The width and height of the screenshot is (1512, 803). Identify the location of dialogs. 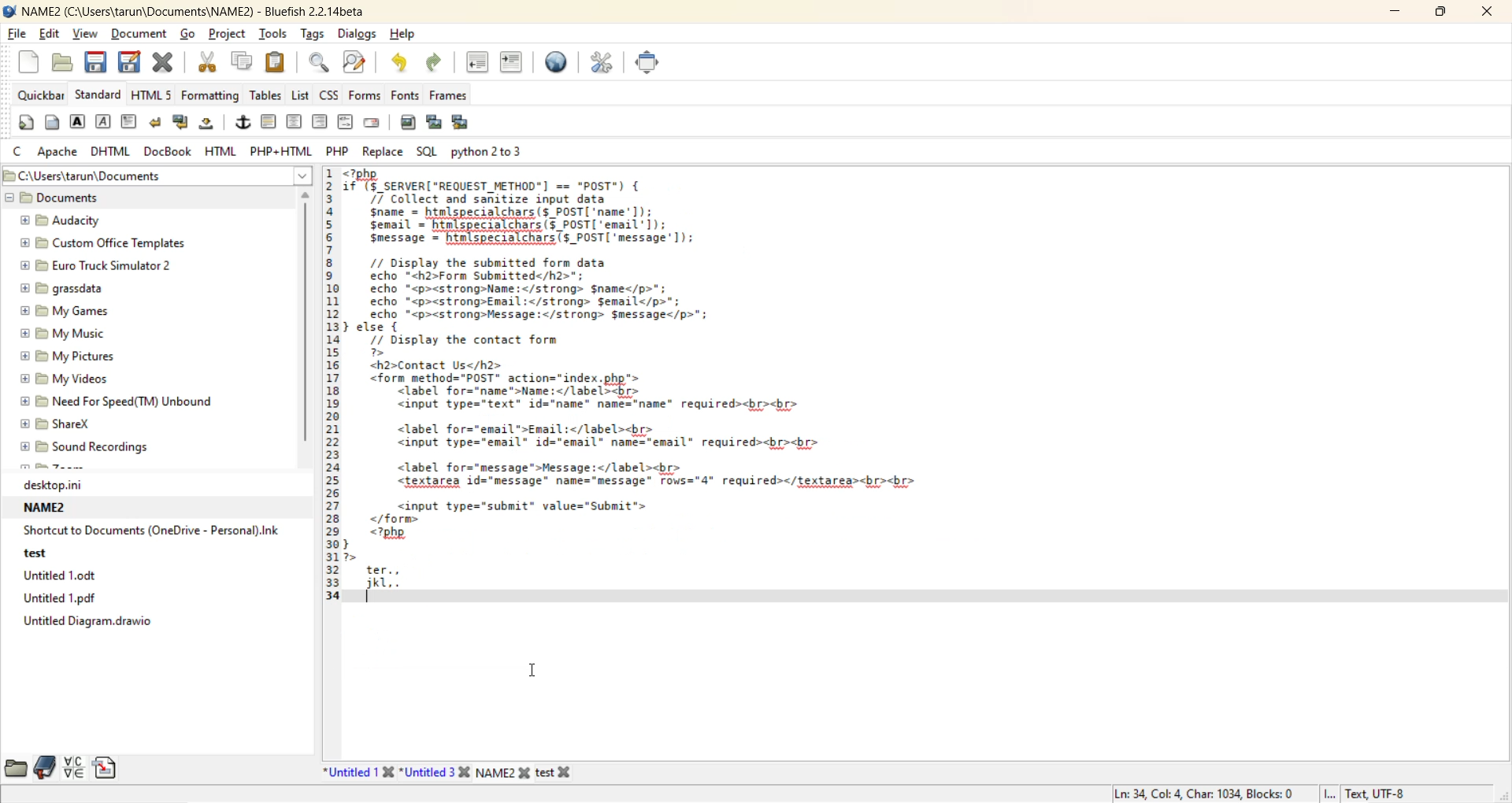
(358, 34).